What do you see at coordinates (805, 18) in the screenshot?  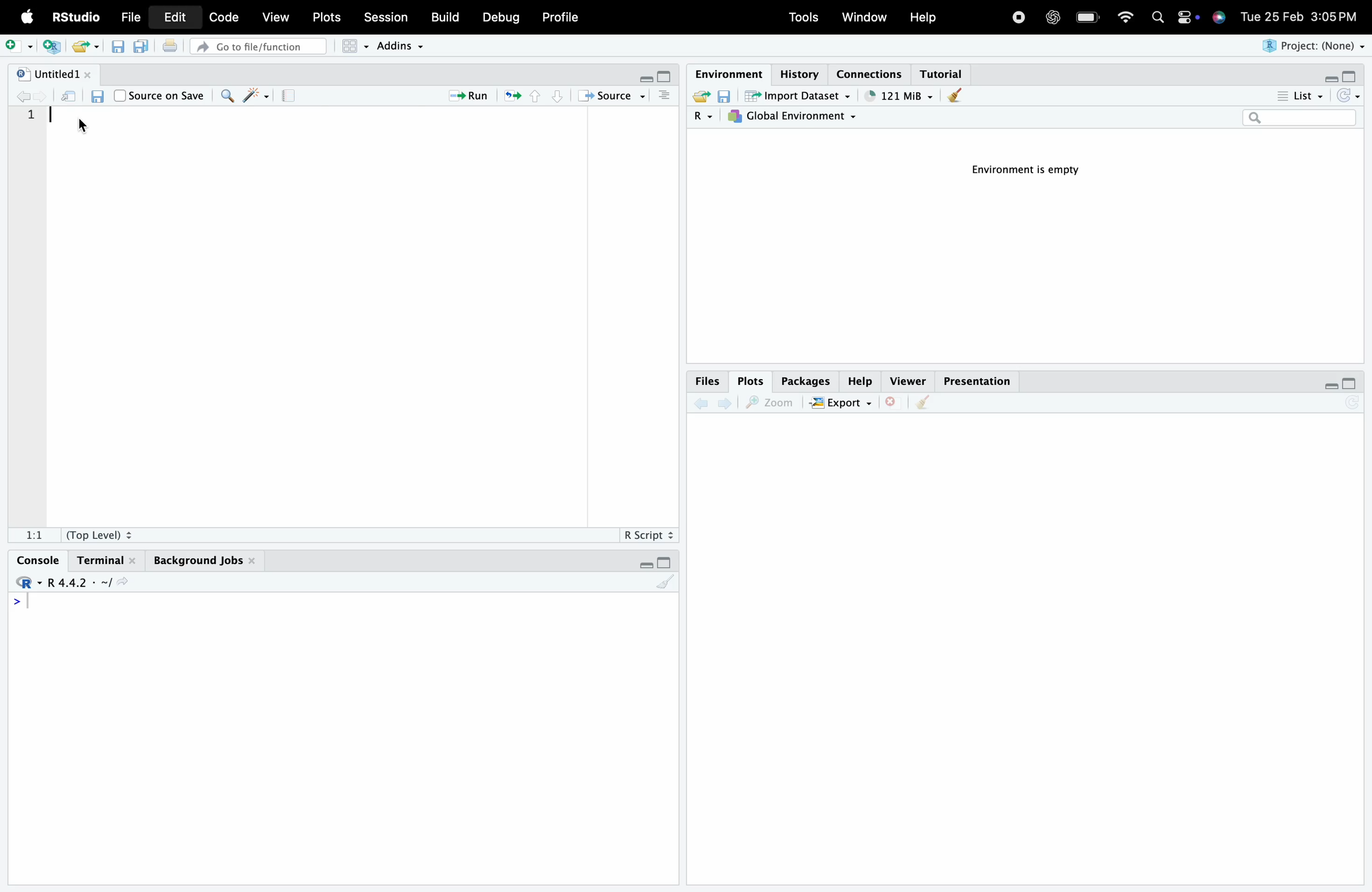 I see `Tools` at bounding box center [805, 18].